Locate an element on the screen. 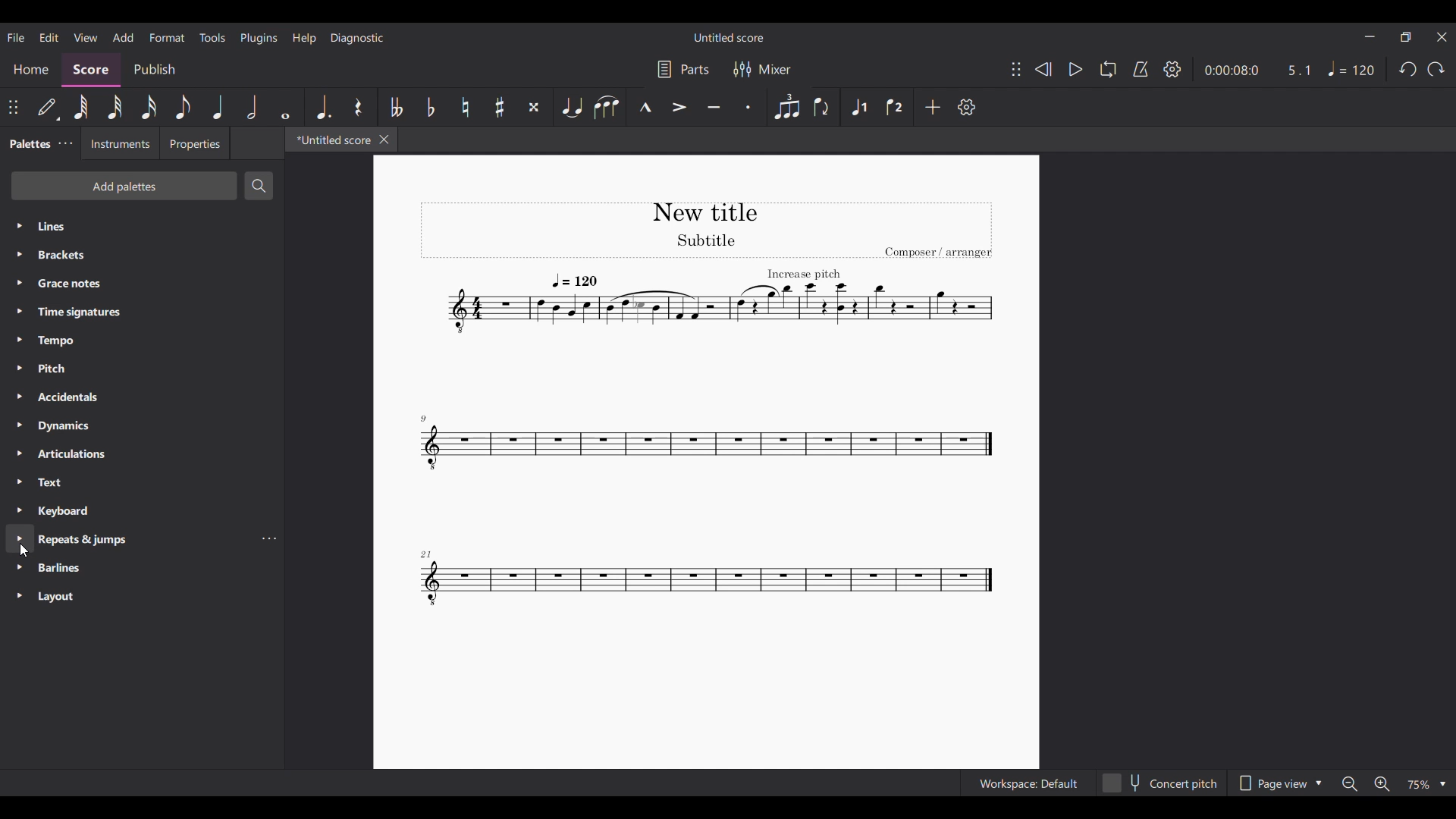  Toggle double sharp is located at coordinates (535, 107).